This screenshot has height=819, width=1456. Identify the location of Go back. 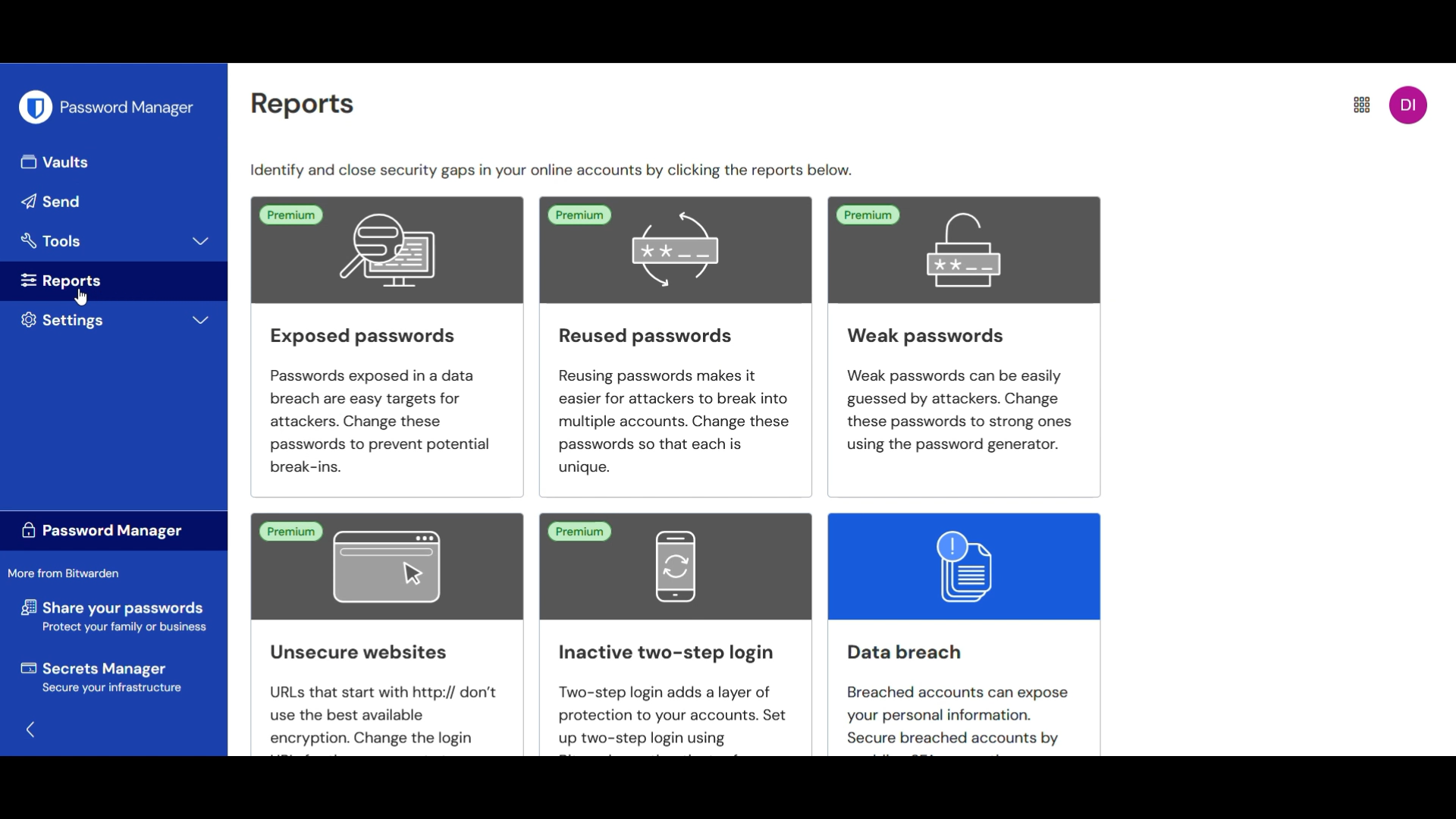
(34, 724).